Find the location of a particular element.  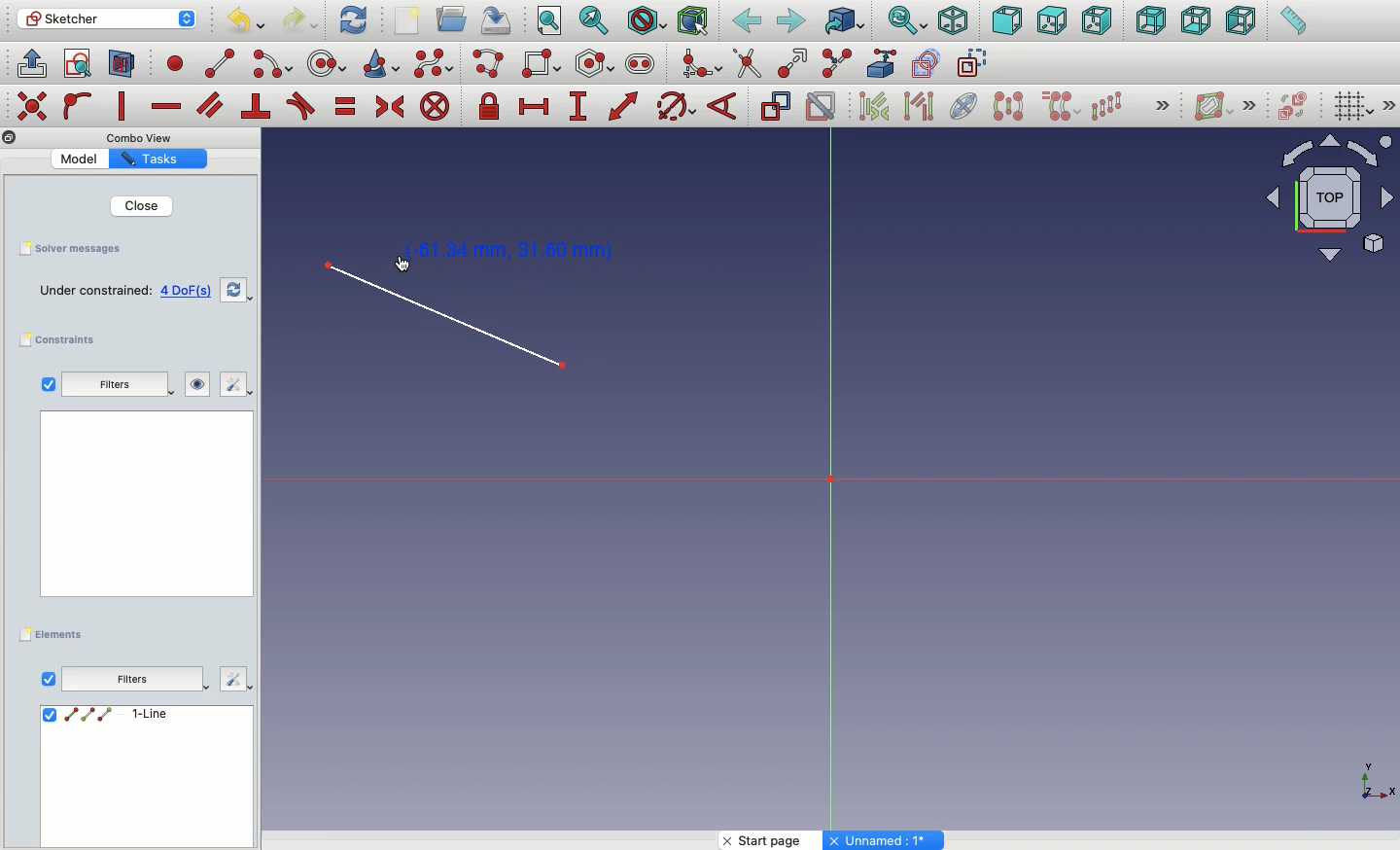

Checkbox is located at coordinates (47, 384).